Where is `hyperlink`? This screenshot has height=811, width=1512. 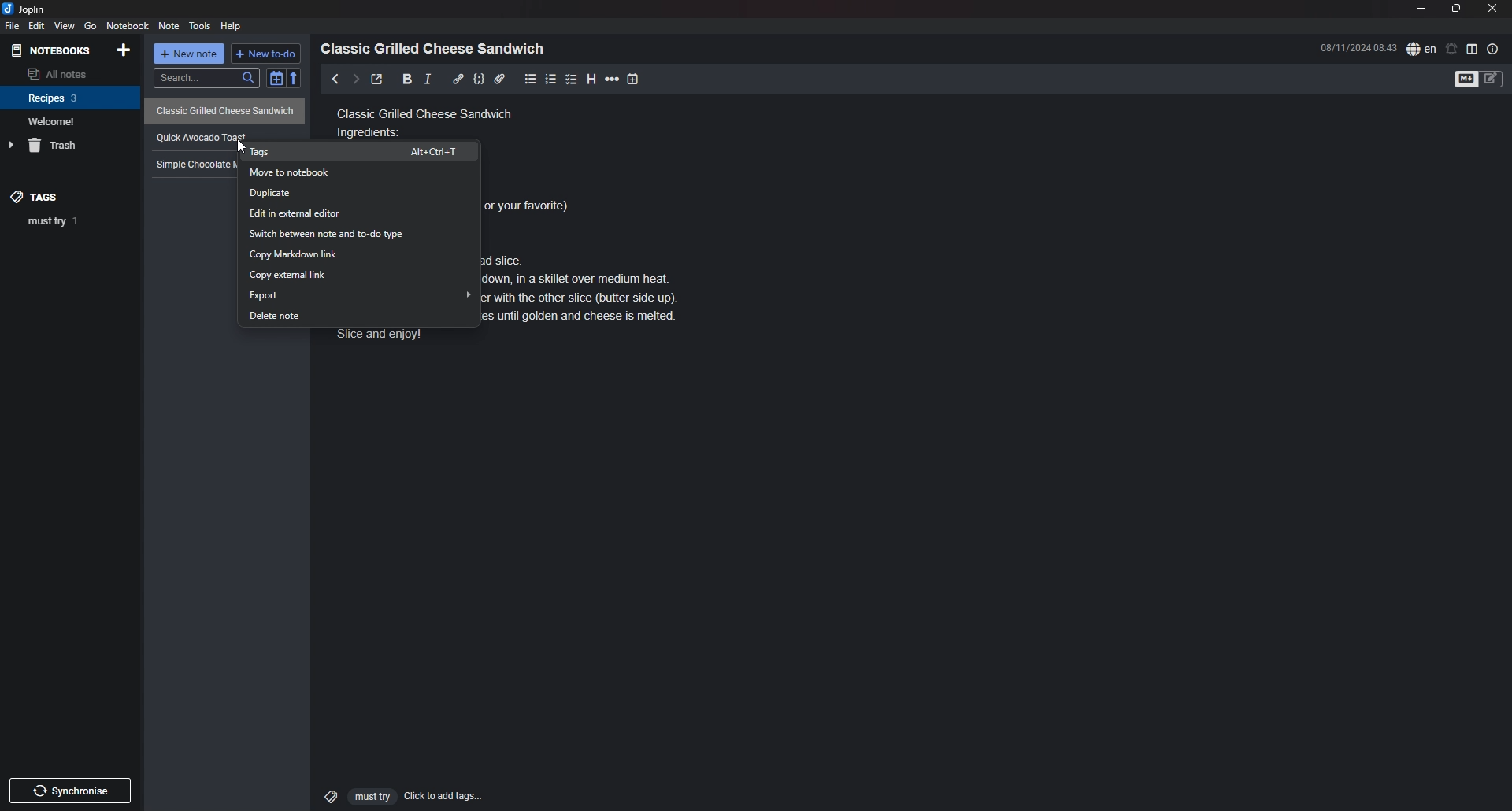
hyperlink is located at coordinates (458, 78).